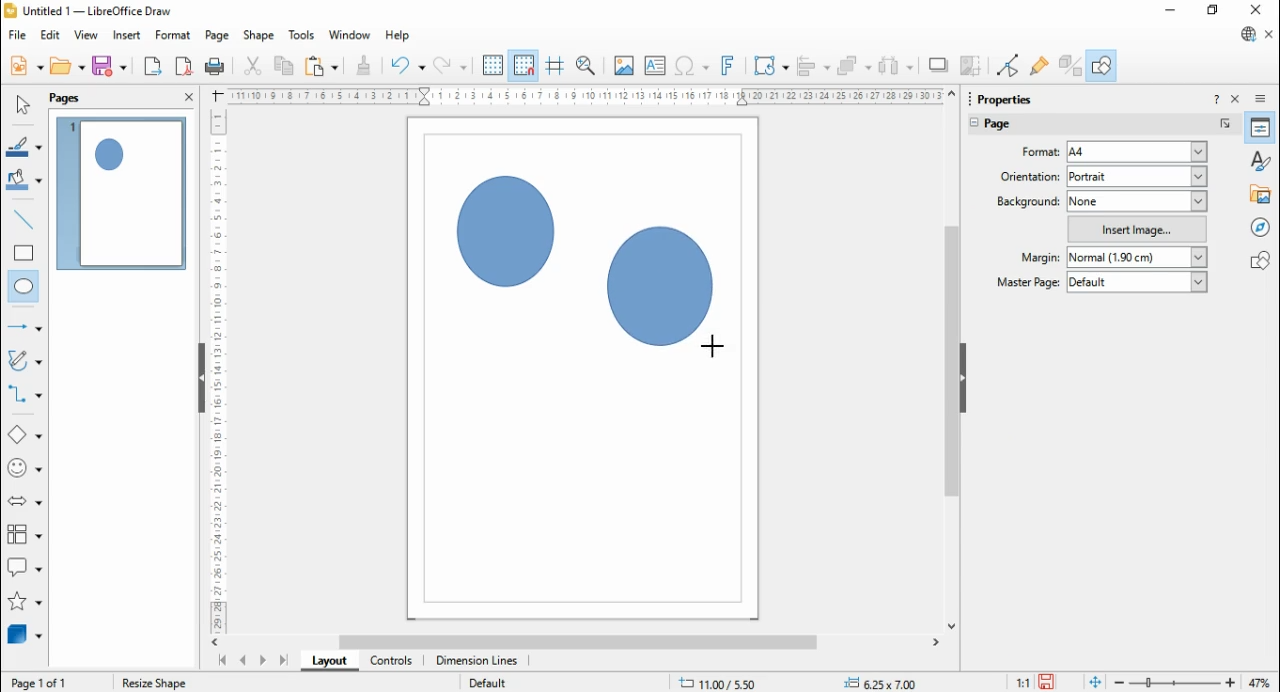  I want to click on close sidebar deck, so click(1237, 98).